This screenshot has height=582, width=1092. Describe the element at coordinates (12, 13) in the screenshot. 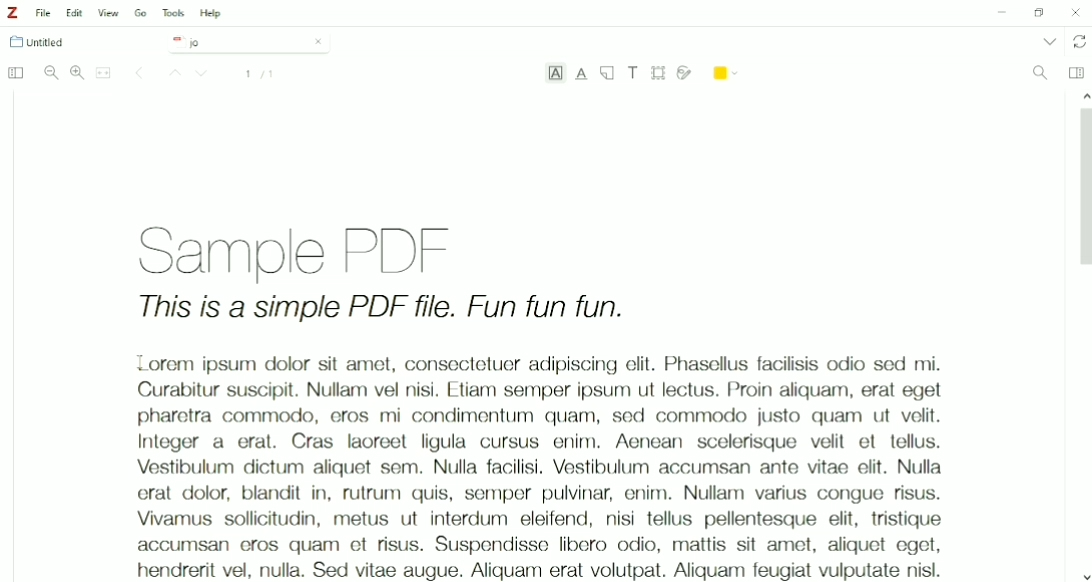

I see `Logo` at that location.